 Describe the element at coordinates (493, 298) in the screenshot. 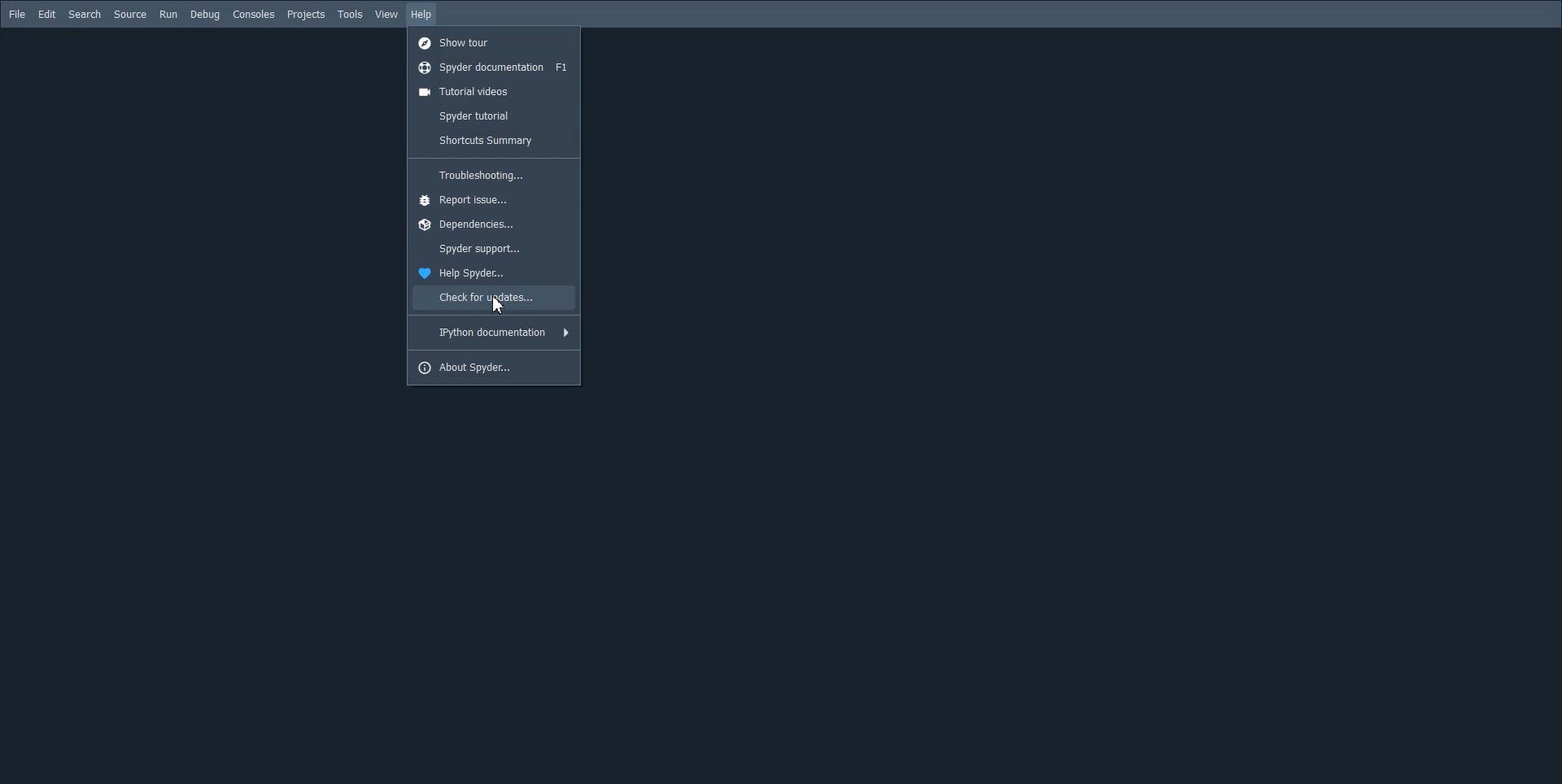

I see `Check for updates` at that location.